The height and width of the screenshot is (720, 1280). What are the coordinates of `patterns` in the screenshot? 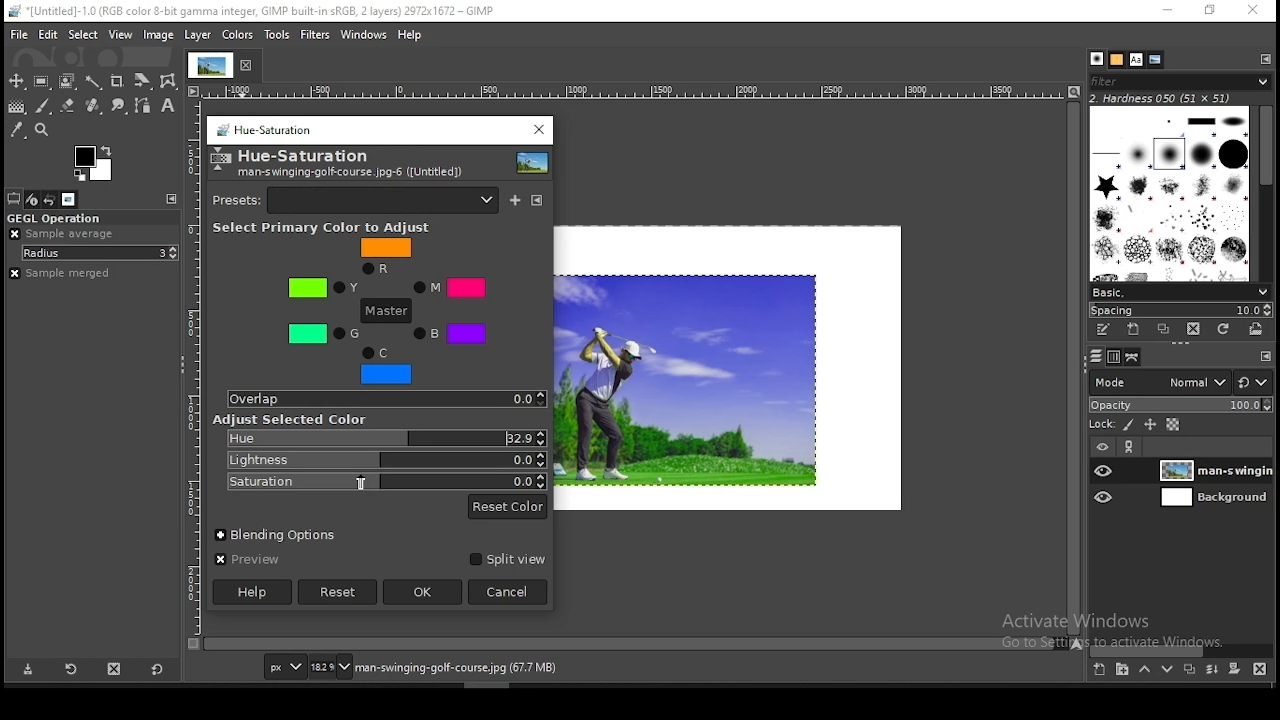 It's located at (1117, 61).